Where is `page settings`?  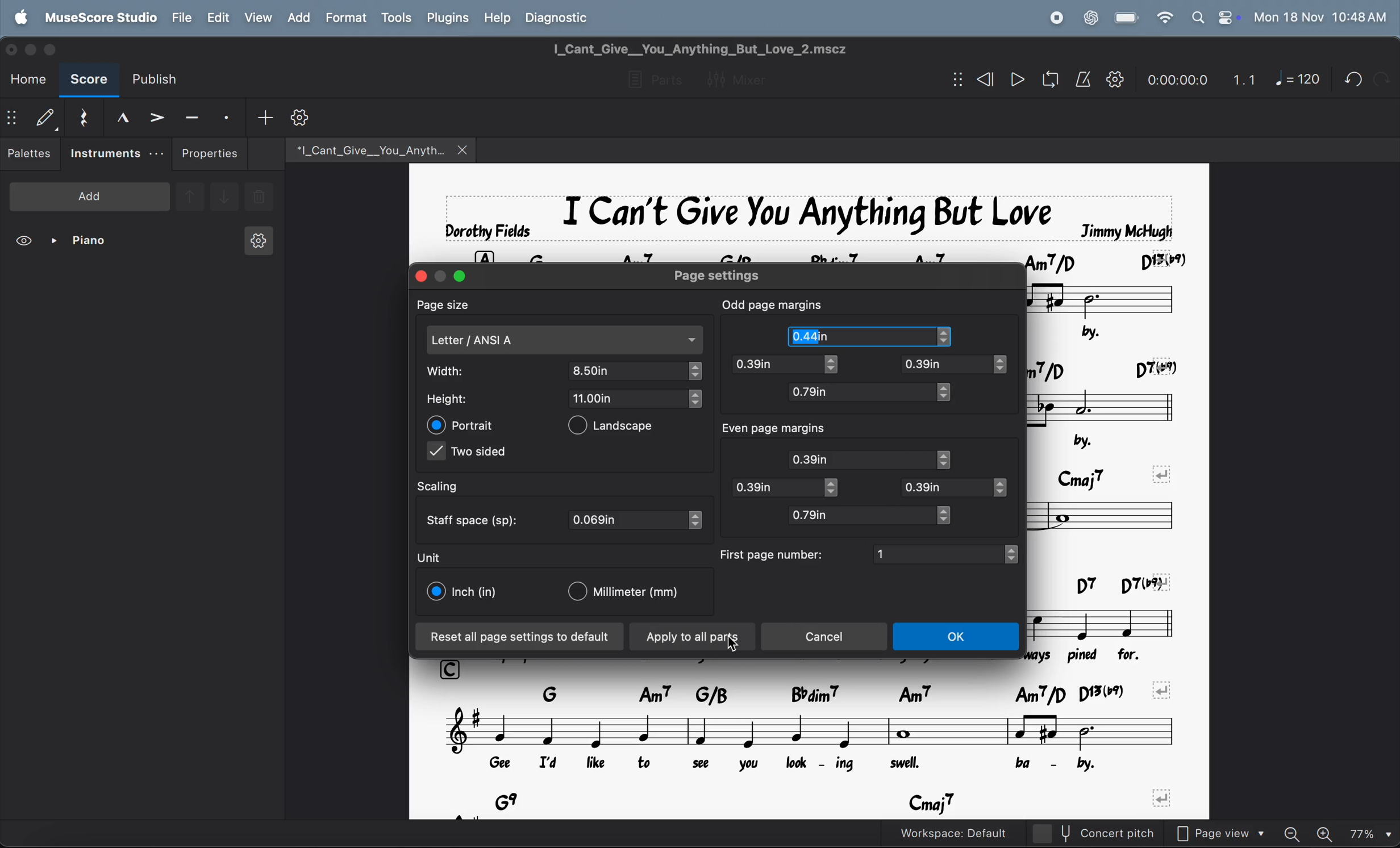 page settings is located at coordinates (732, 275).